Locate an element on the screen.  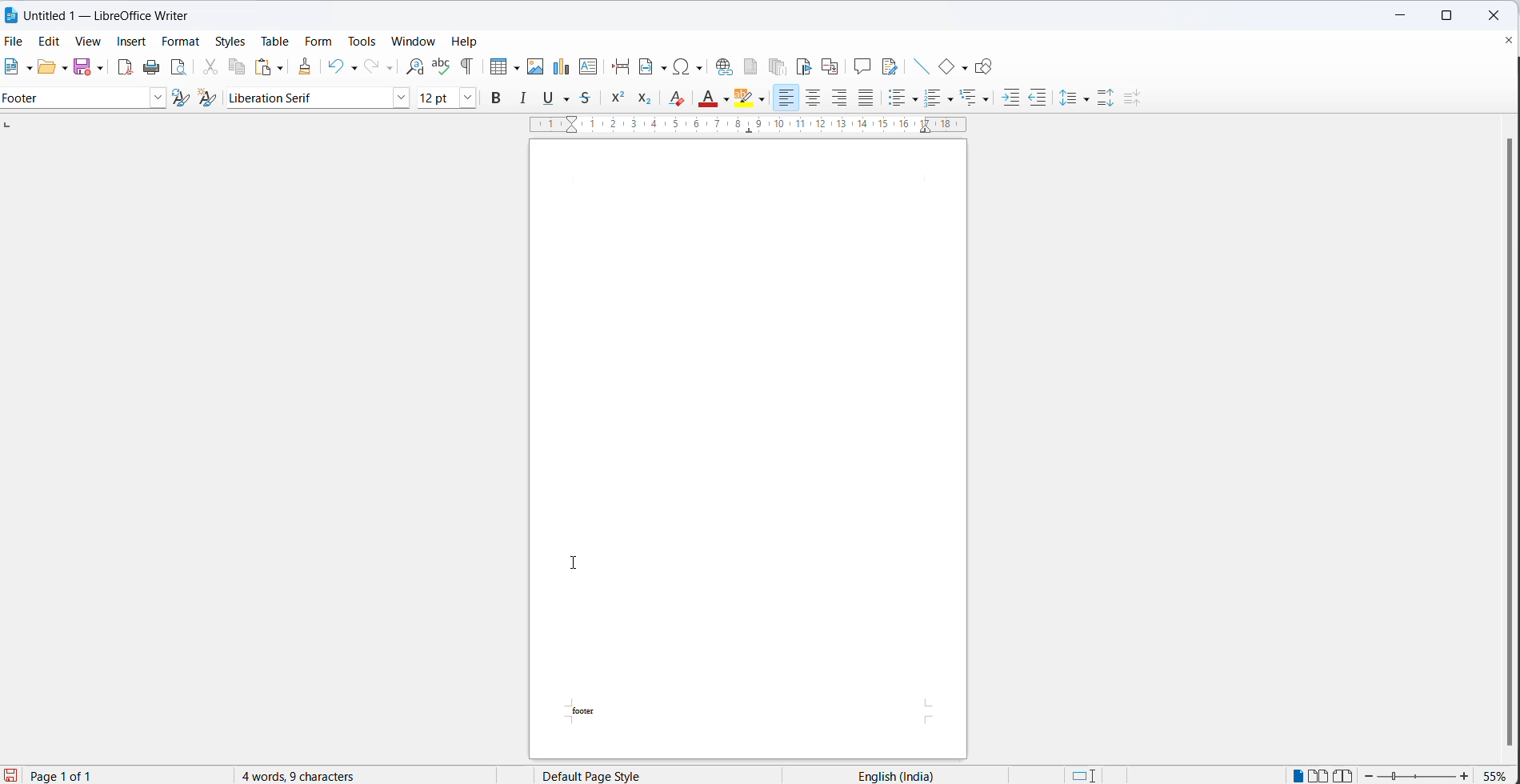
italic is located at coordinates (524, 99).